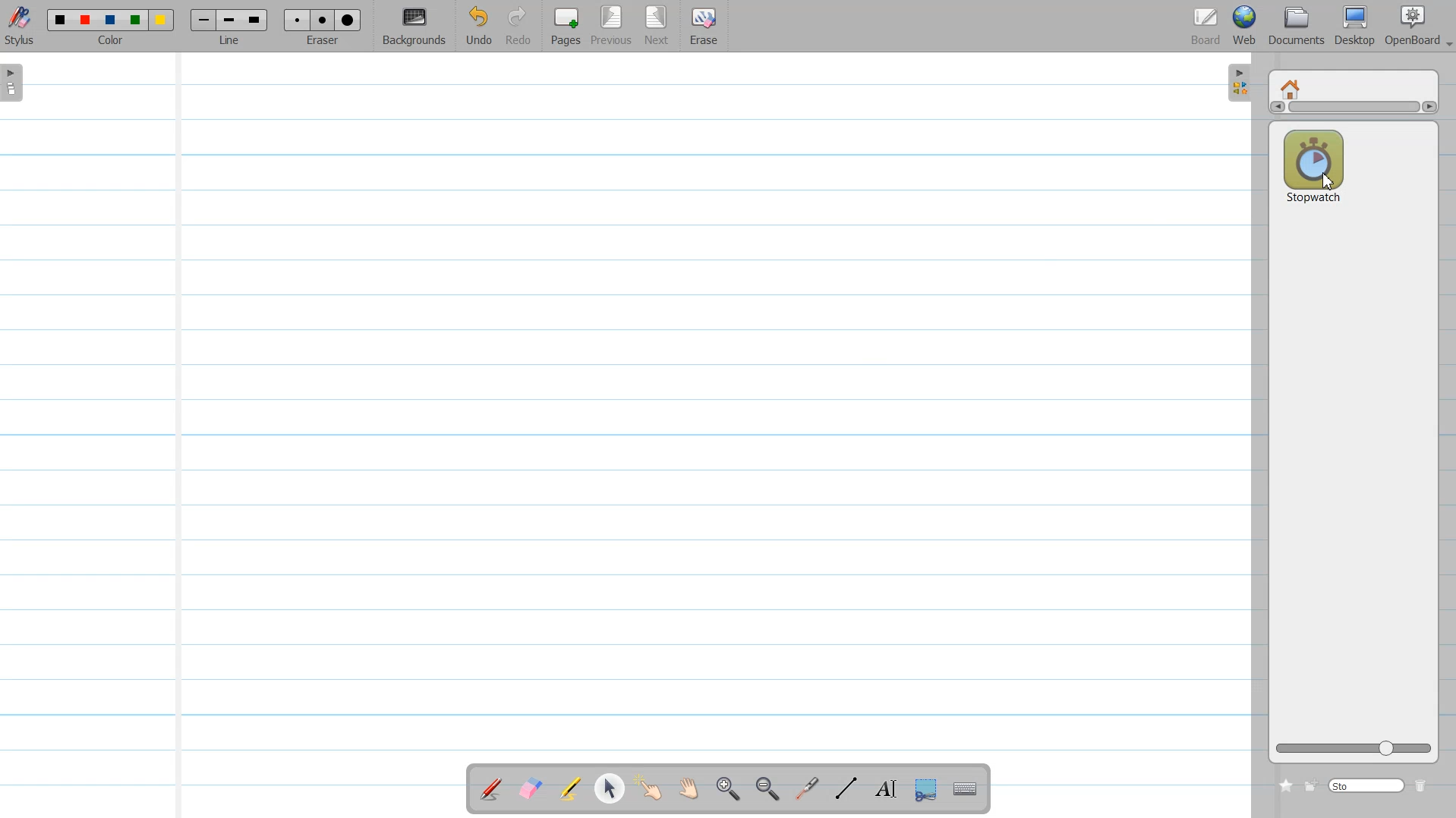 Image resolution: width=1456 pixels, height=818 pixels. What do you see at coordinates (1245, 26) in the screenshot?
I see `Web` at bounding box center [1245, 26].